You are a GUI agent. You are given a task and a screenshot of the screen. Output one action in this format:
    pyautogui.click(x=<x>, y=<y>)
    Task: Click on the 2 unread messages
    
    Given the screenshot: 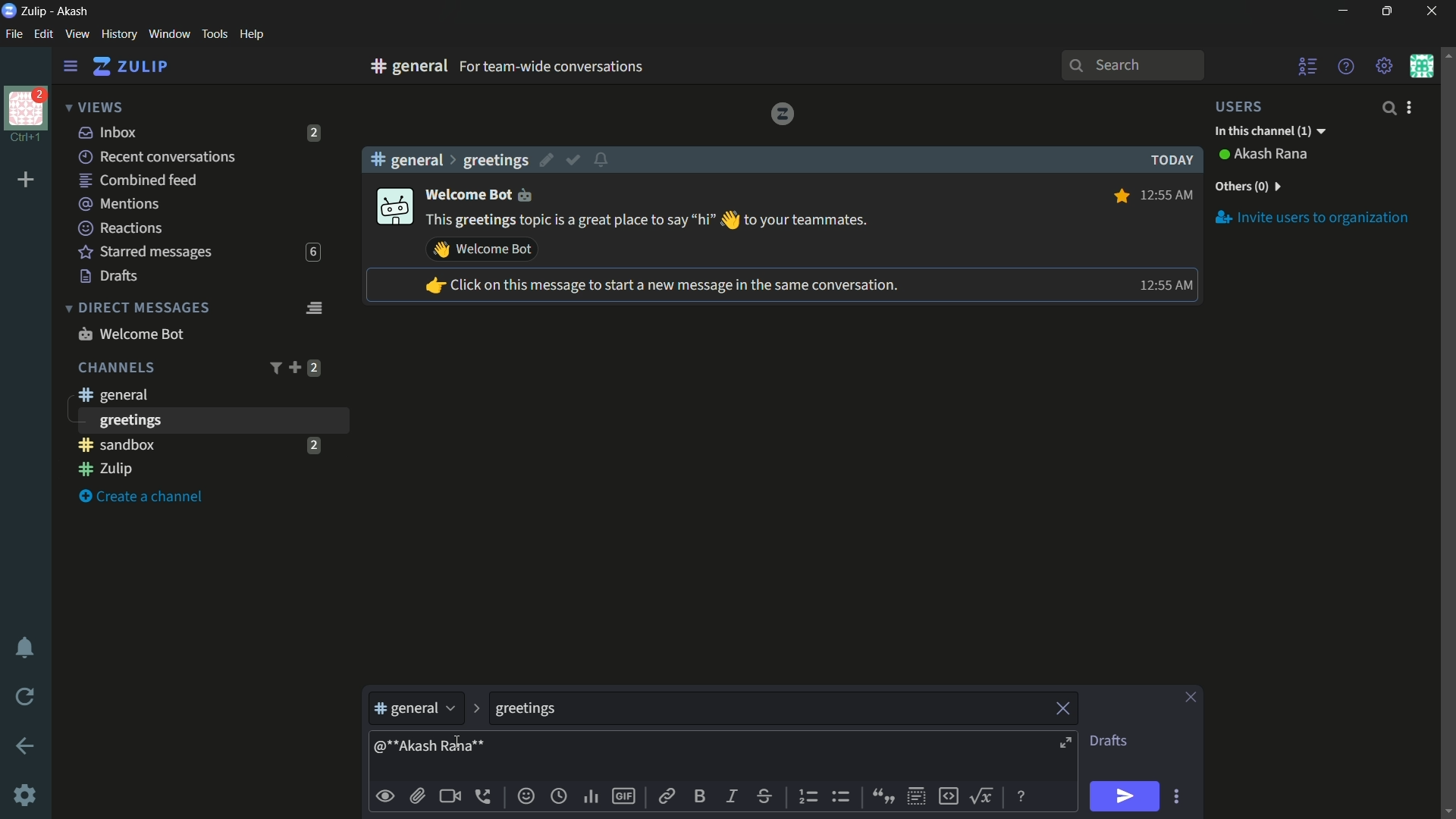 What is the action you would take?
    pyautogui.click(x=315, y=133)
    